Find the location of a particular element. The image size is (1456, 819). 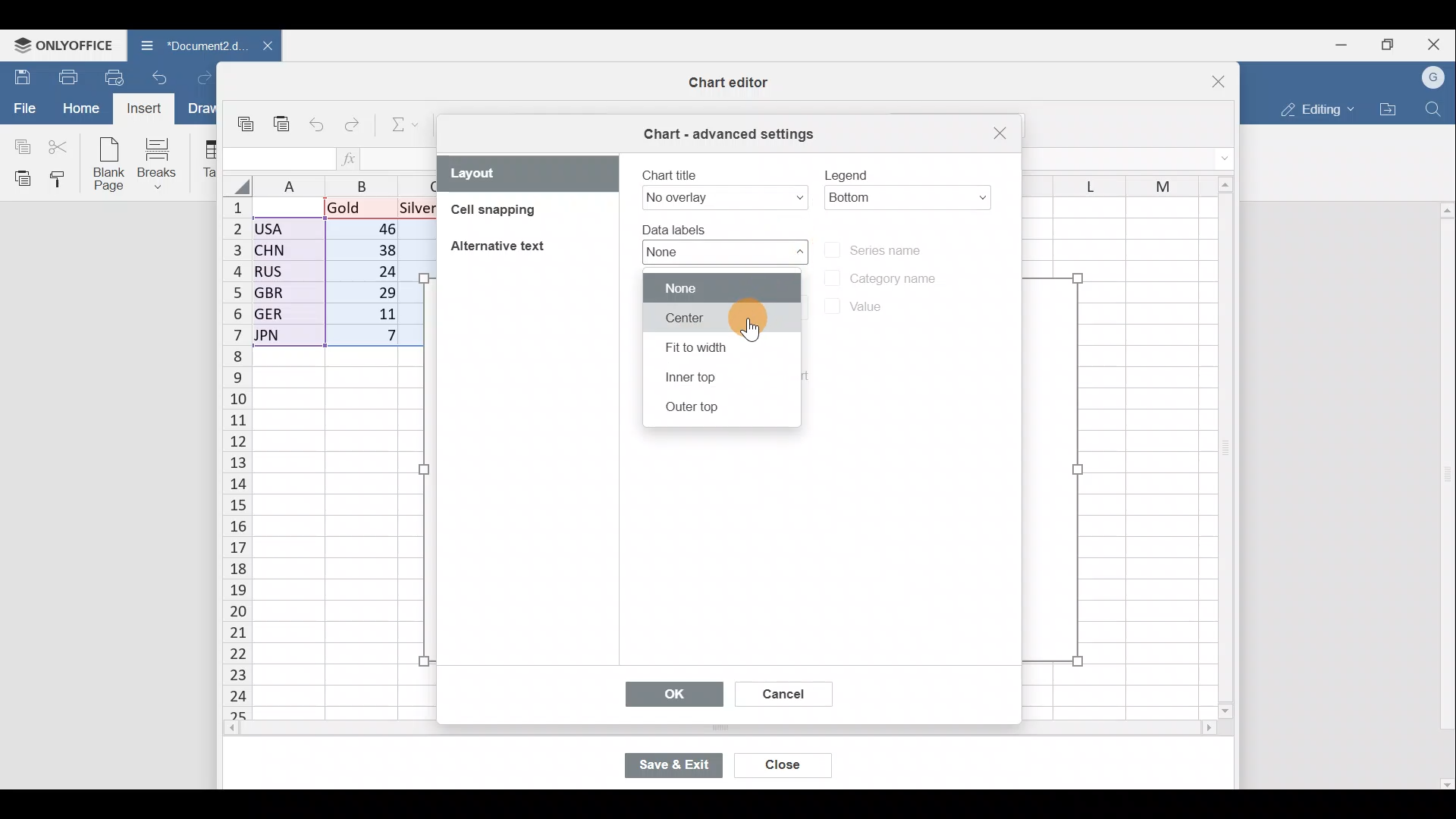

File is located at coordinates (23, 107).